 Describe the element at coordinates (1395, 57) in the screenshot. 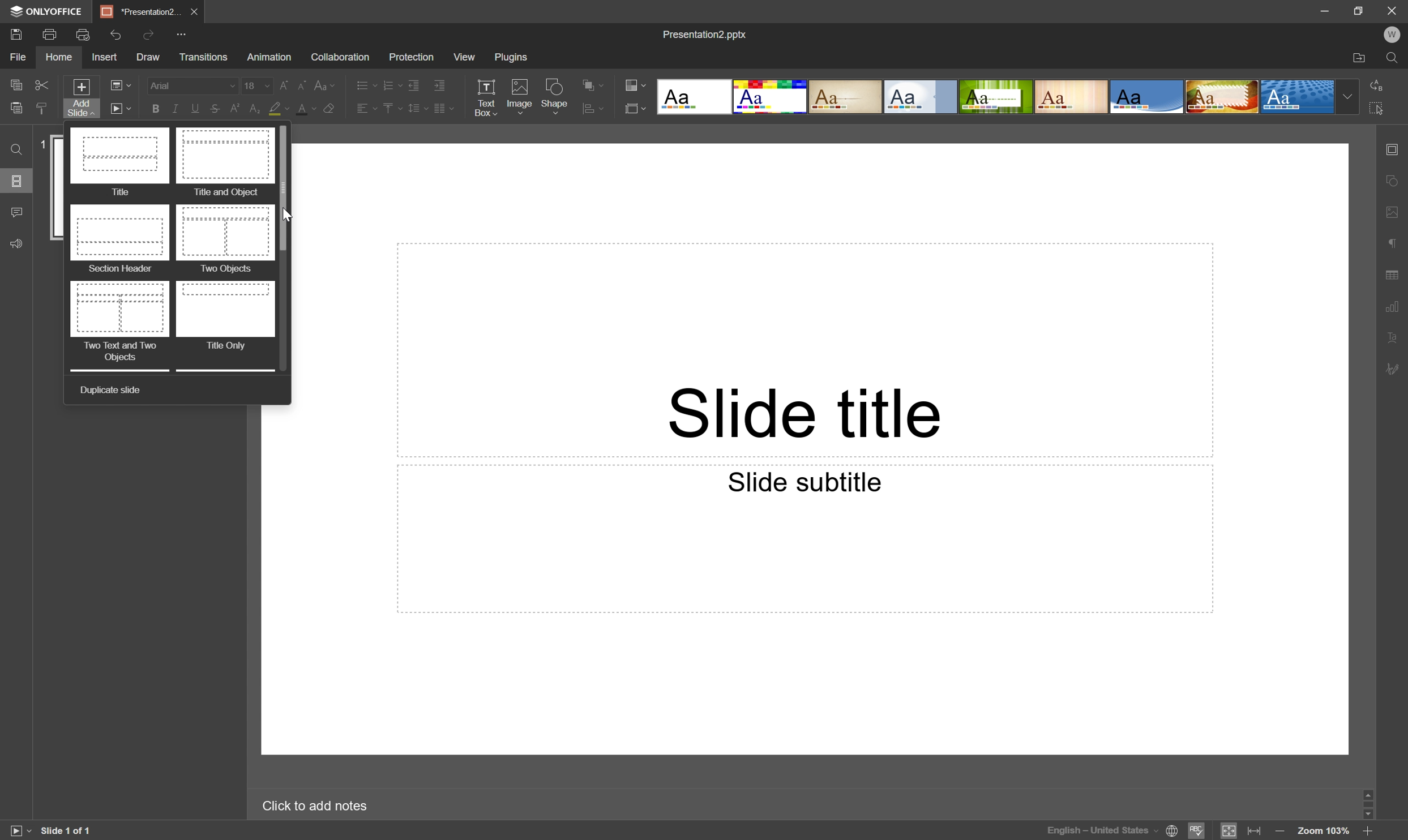

I see `Find` at that location.